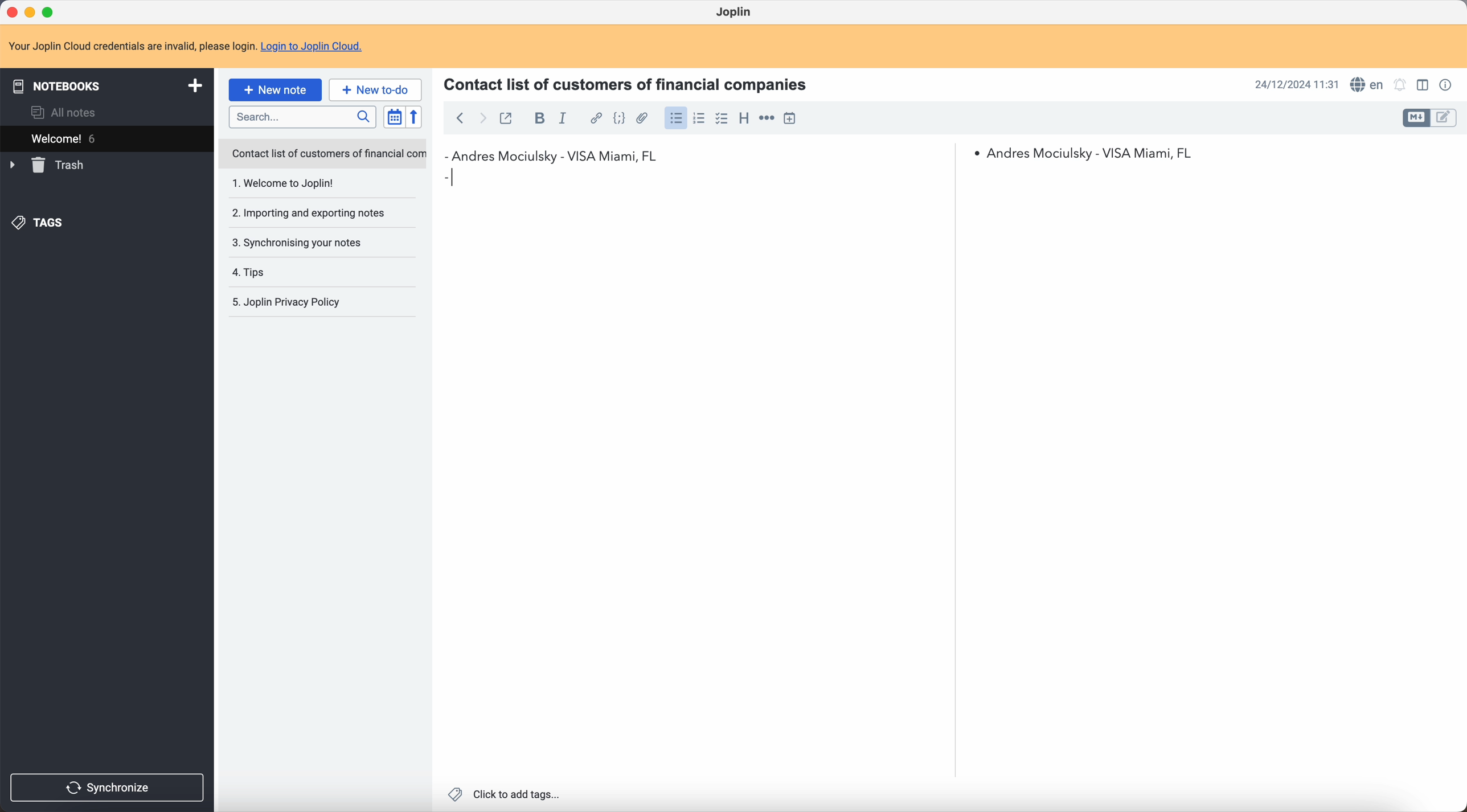 This screenshot has width=1467, height=812. I want to click on insert time, so click(789, 118).